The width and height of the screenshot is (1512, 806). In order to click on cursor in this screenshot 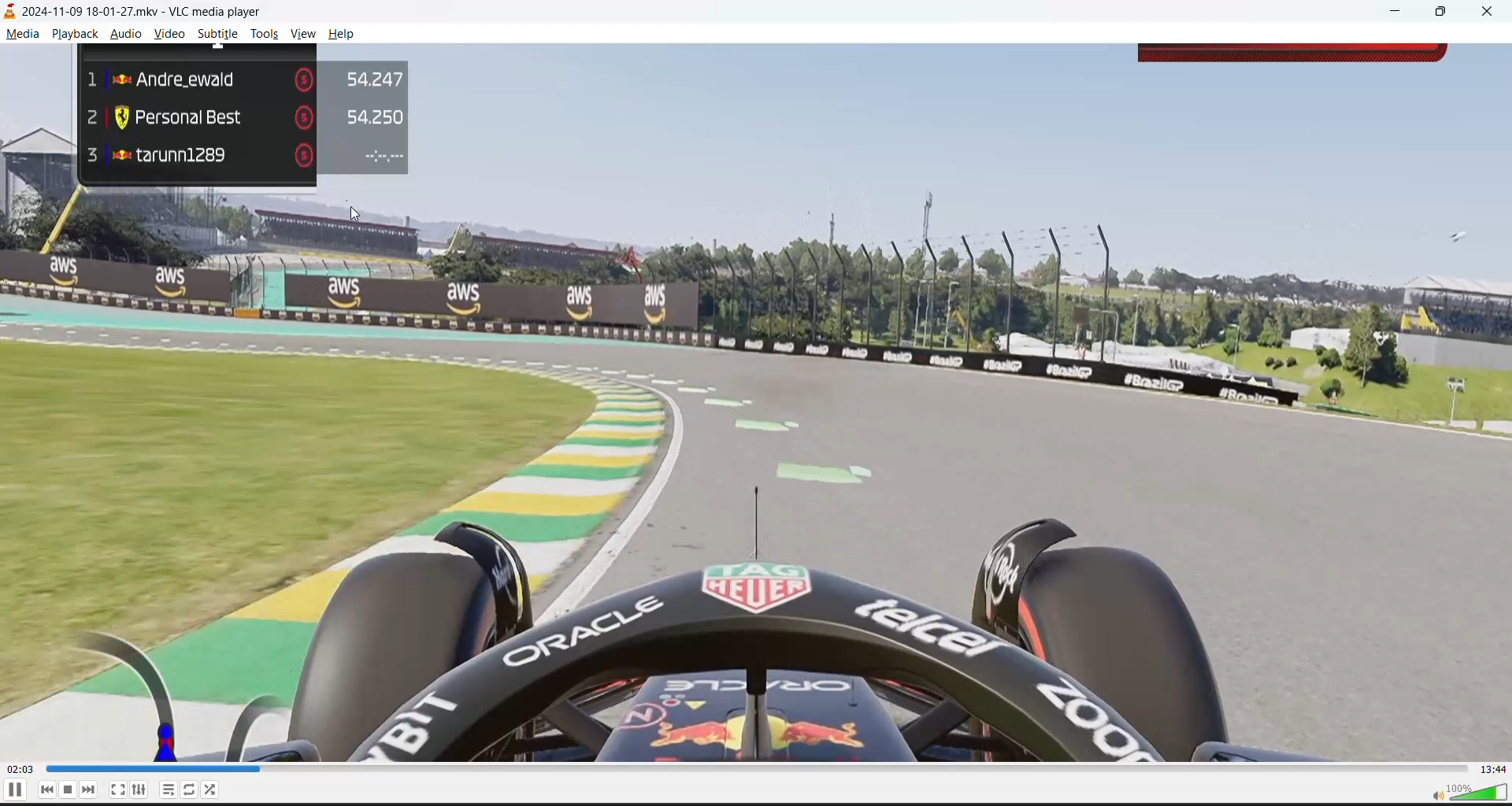, I will do `click(351, 213)`.